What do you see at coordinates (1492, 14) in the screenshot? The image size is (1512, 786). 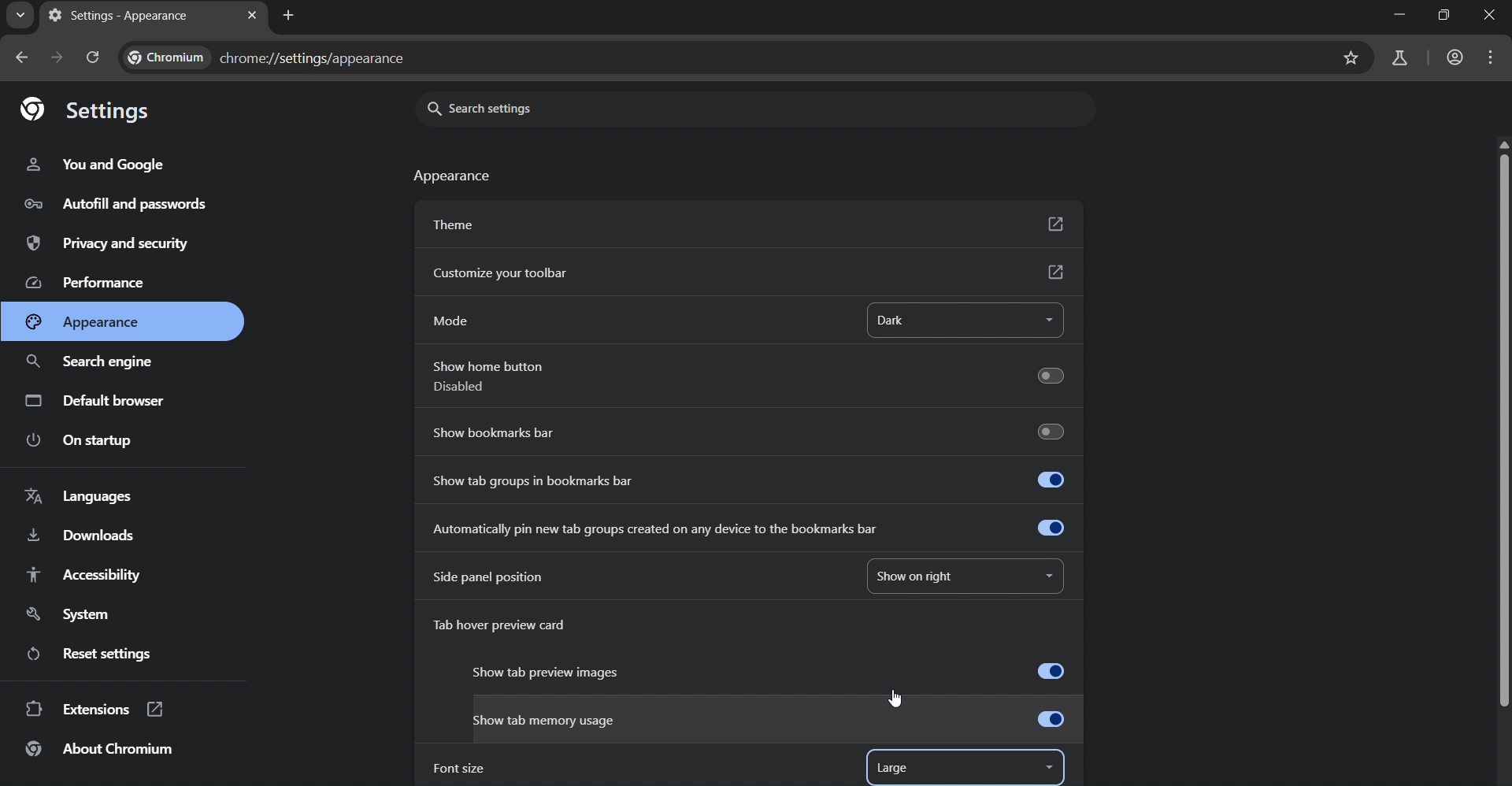 I see `close` at bounding box center [1492, 14].